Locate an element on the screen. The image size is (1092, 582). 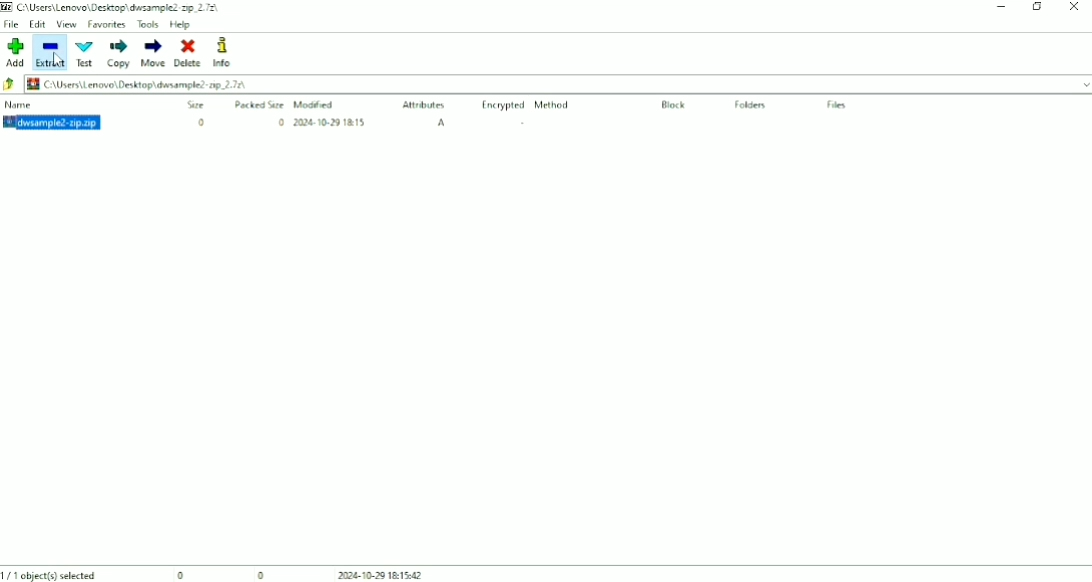
0     0 is located at coordinates (222, 574).